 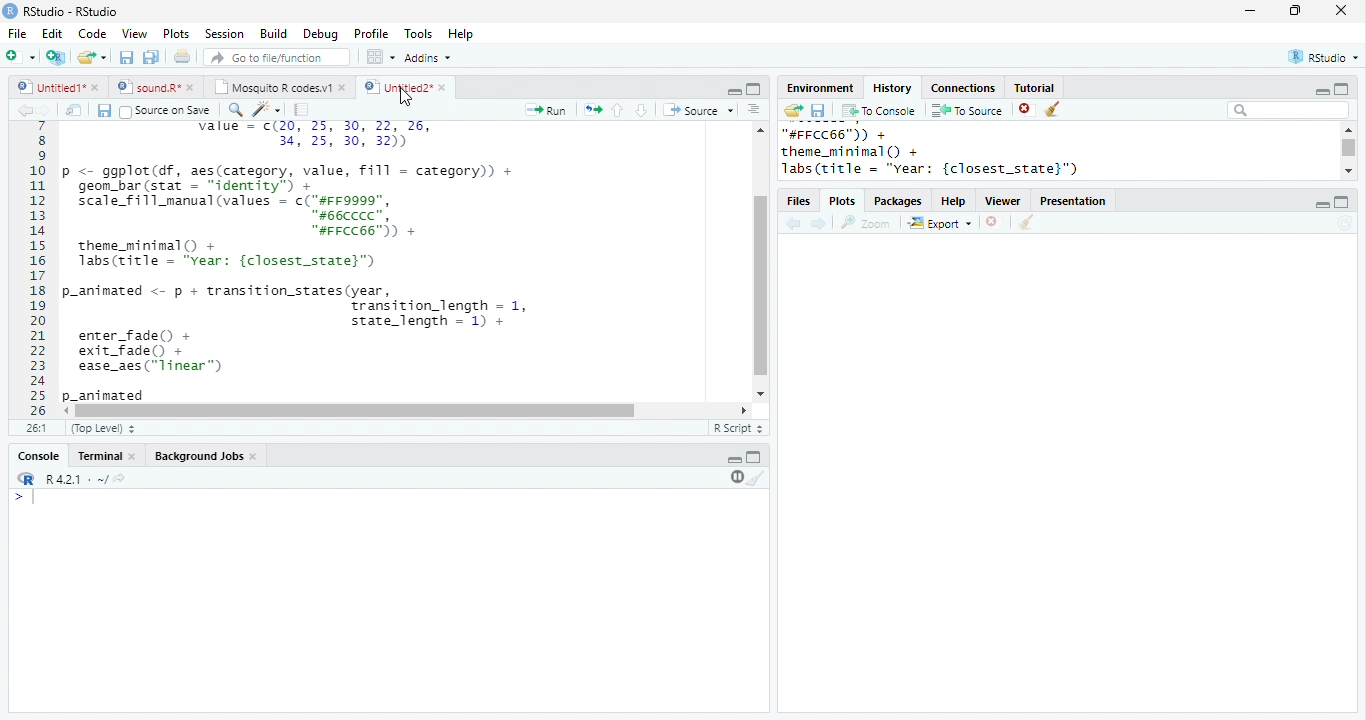 I want to click on clear, so click(x=1052, y=109).